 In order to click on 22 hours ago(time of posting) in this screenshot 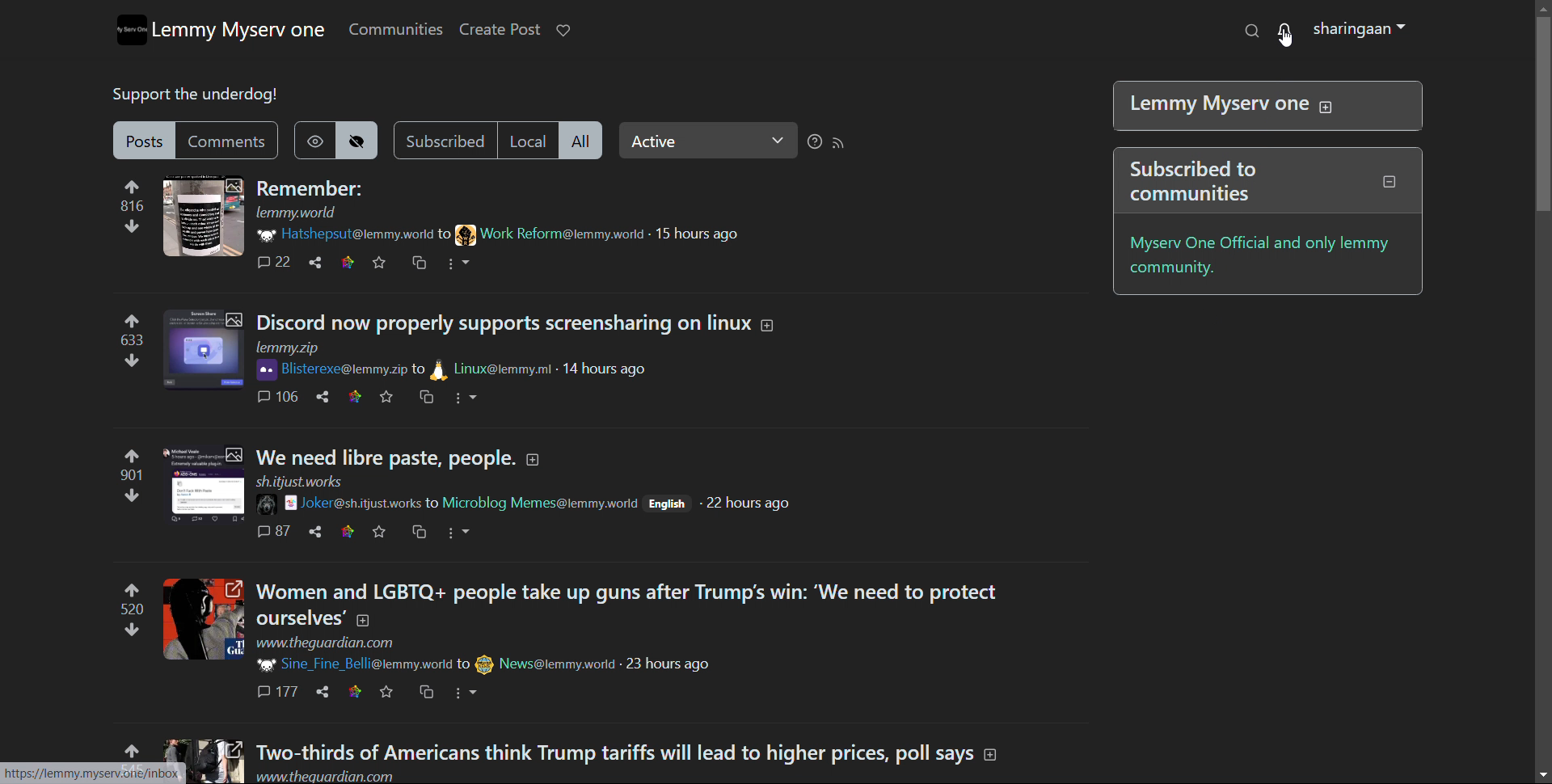, I will do `click(746, 504)`.